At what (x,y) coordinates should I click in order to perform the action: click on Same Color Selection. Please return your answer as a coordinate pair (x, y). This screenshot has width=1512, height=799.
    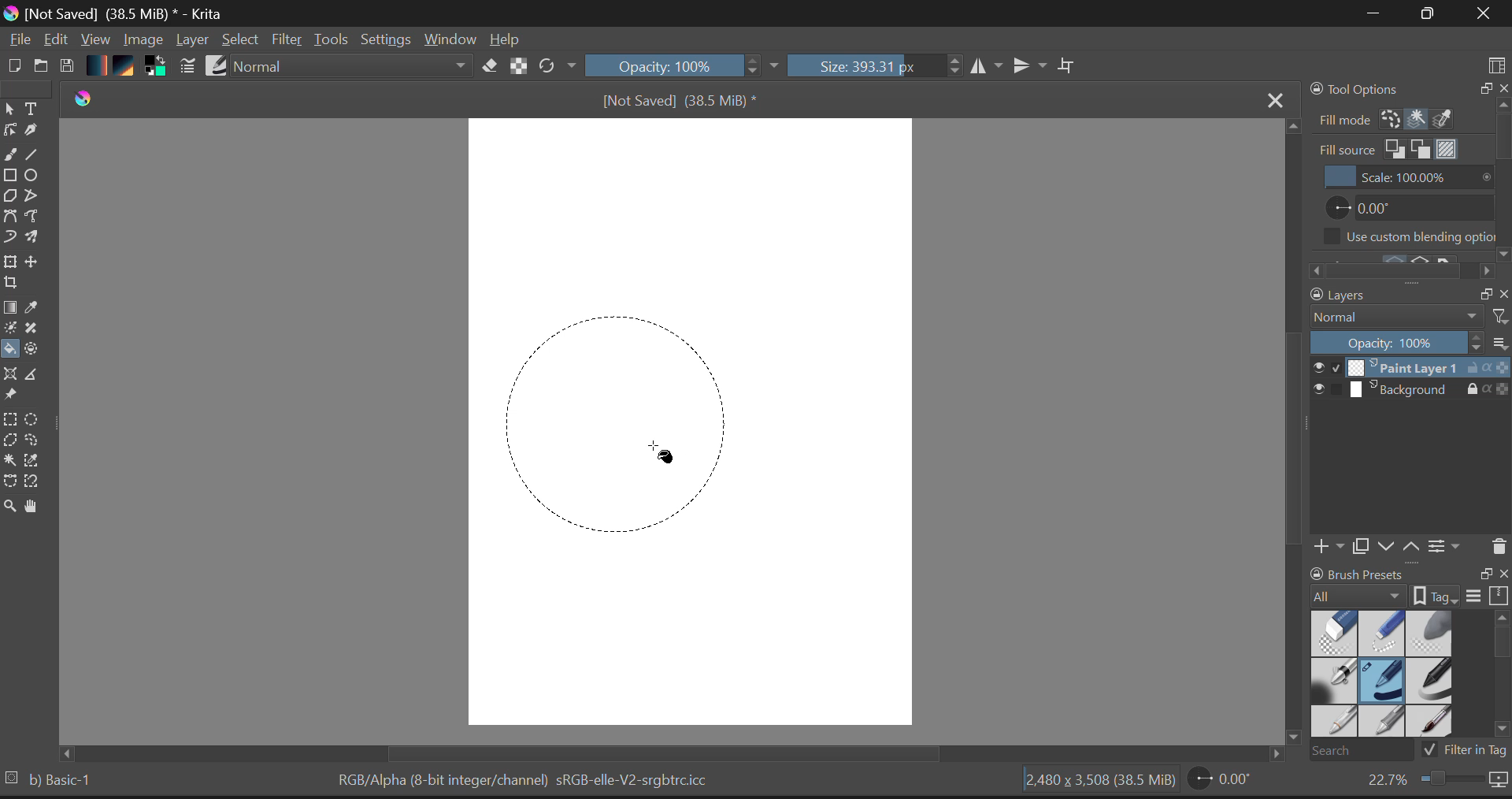
    Looking at the image, I should click on (37, 463).